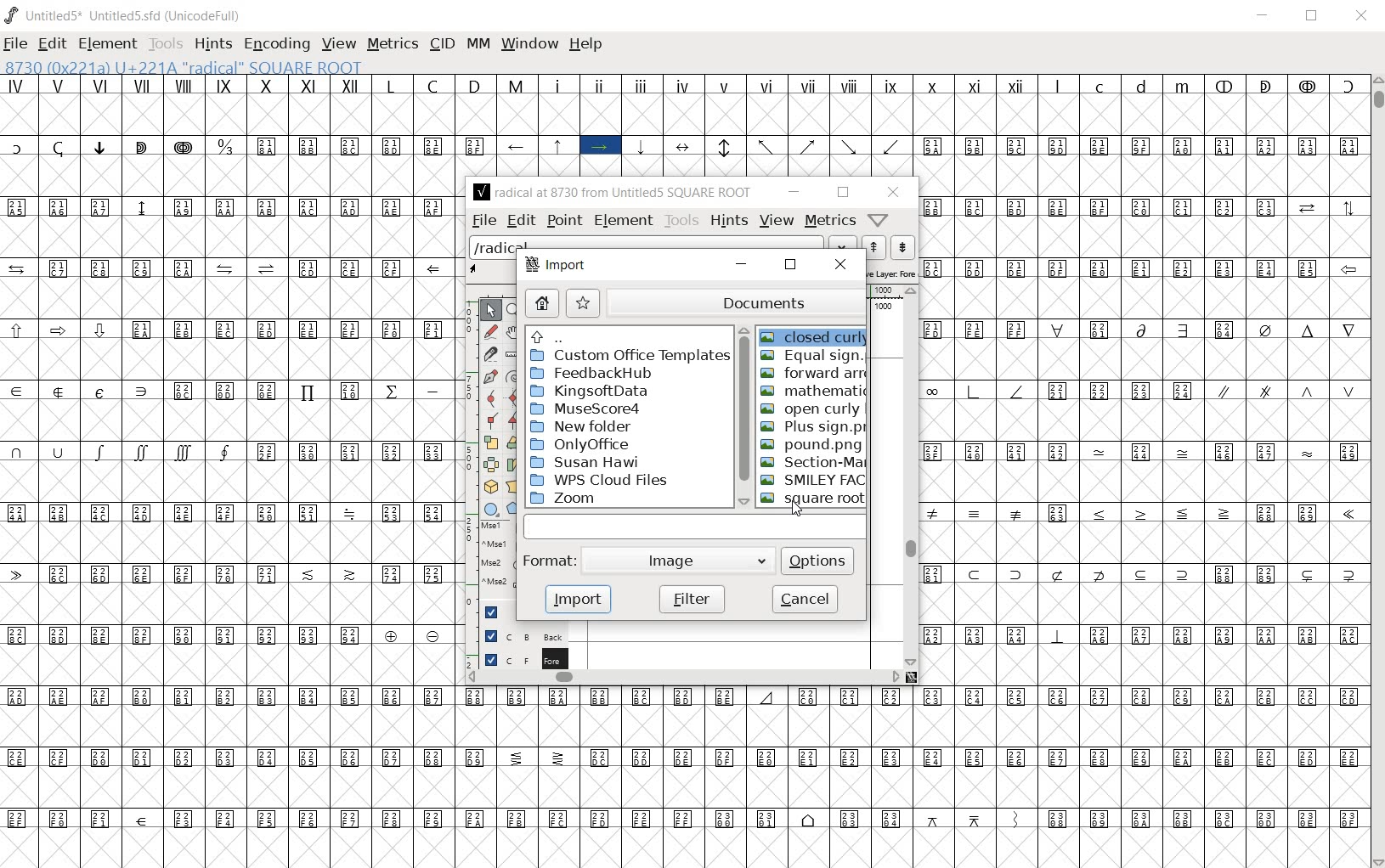 The width and height of the screenshot is (1385, 868). What do you see at coordinates (895, 192) in the screenshot?
I see `close` at bounding box center [895, 192].